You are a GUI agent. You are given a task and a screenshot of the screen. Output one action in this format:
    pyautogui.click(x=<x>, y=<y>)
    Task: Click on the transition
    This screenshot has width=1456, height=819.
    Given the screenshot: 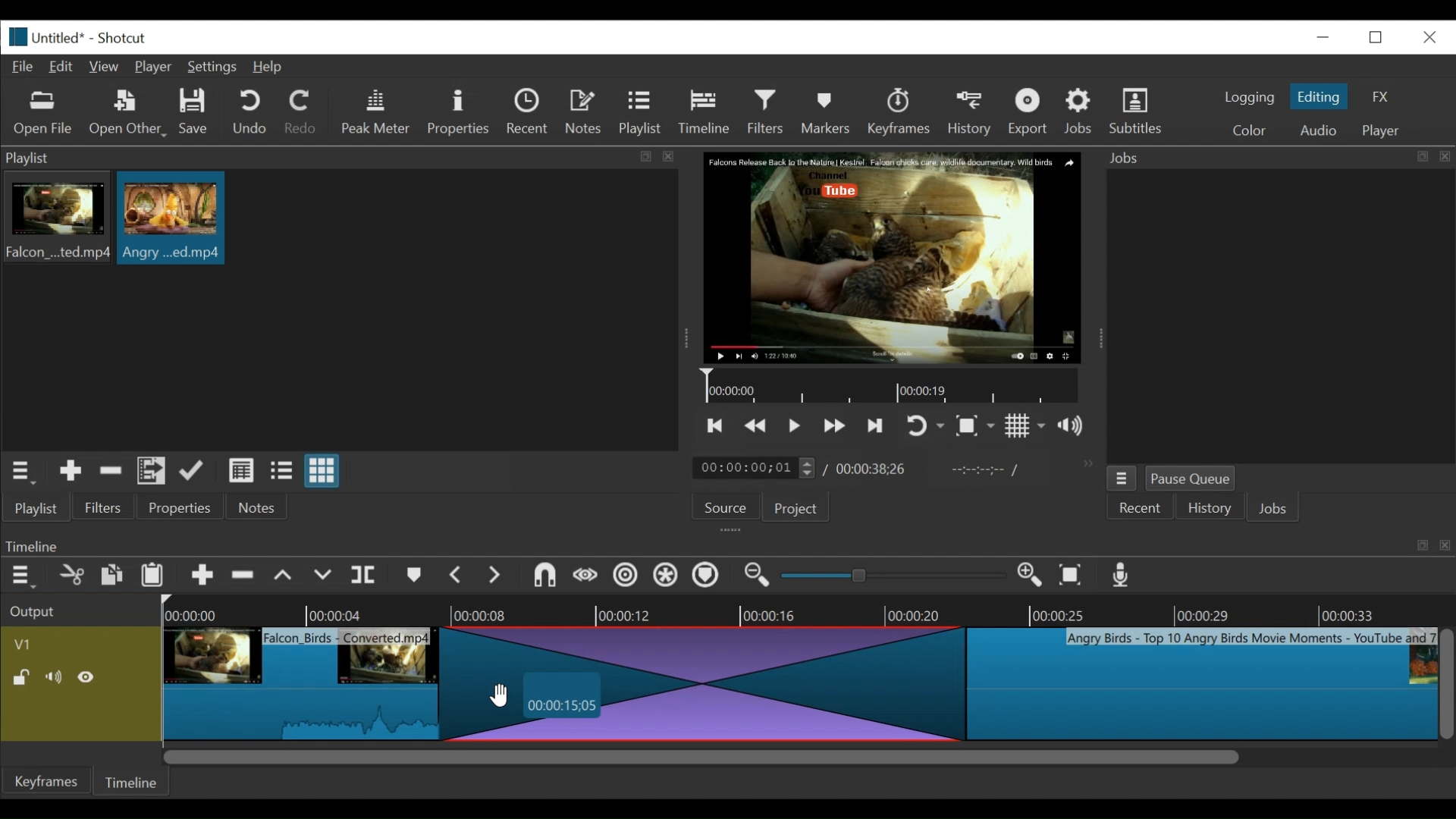 What is the action you would take?
    pyautogui.click(x=704, y=681)
    